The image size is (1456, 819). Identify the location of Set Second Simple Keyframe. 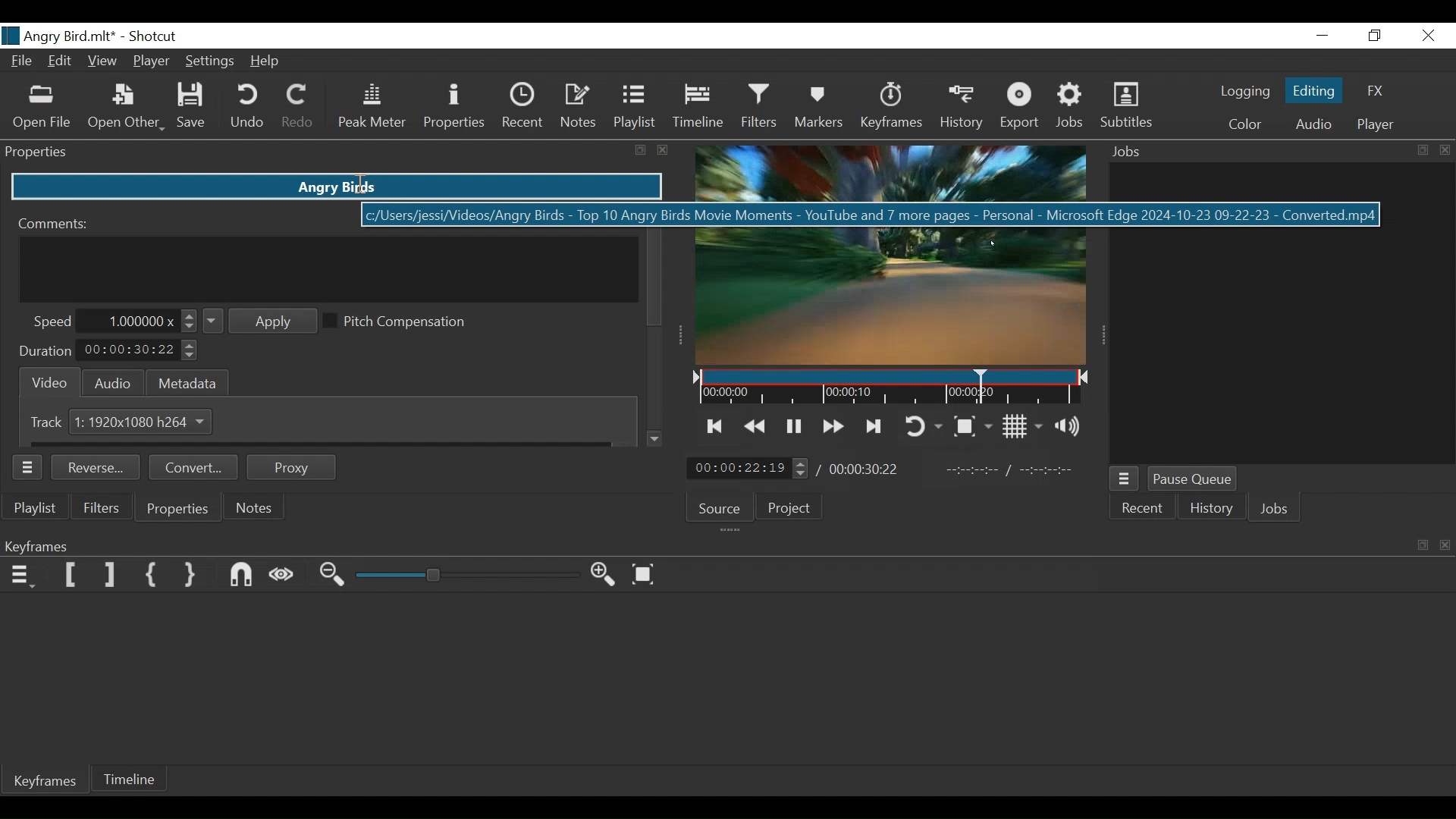
(193, 576).